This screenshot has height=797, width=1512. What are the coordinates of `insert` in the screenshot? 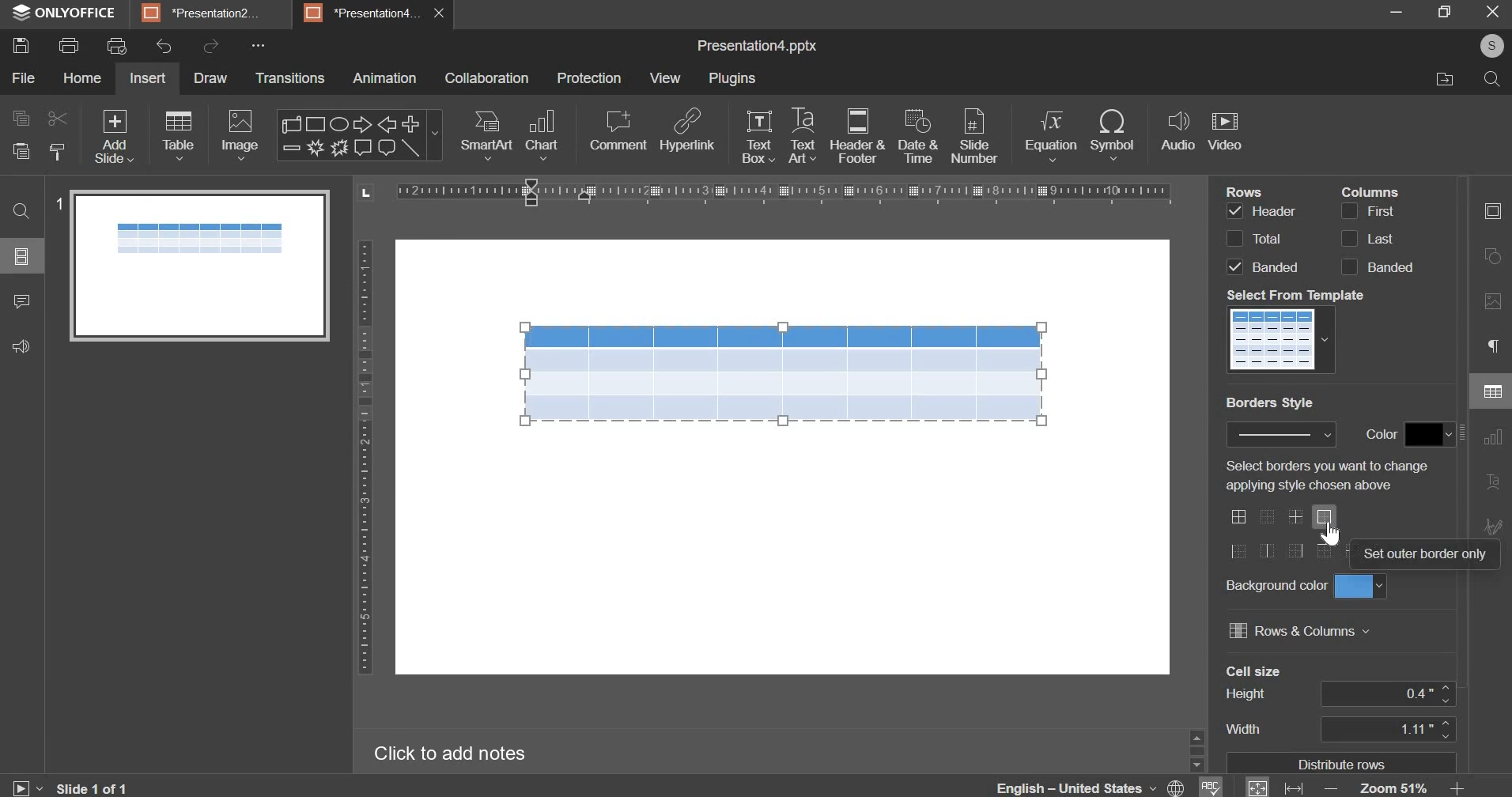 It's located at (146, 78).